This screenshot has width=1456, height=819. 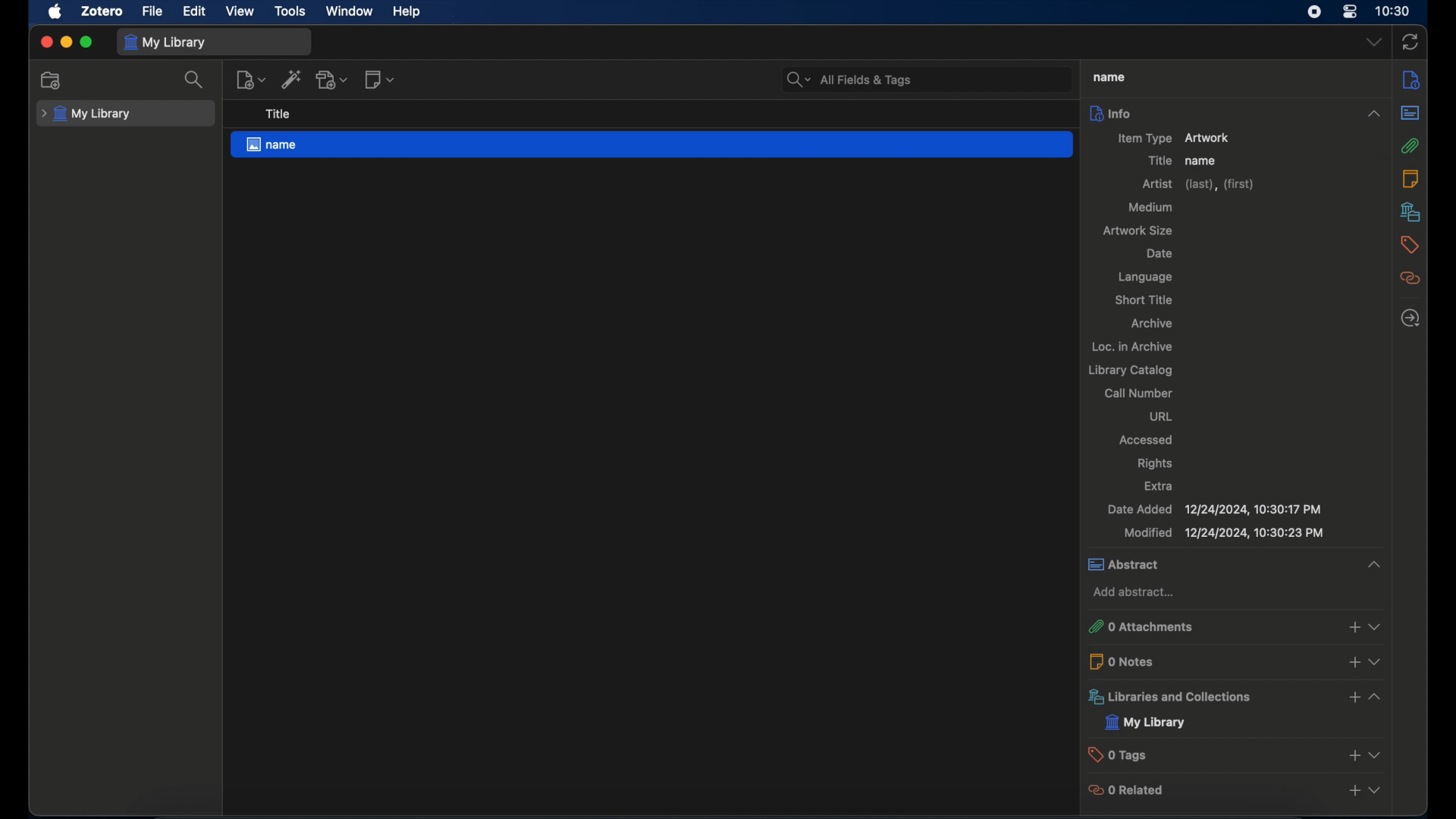 What do you see at coordinates (1384, 667) in the screenshot?
I see `expand section` at bounding box center [1384, 667].